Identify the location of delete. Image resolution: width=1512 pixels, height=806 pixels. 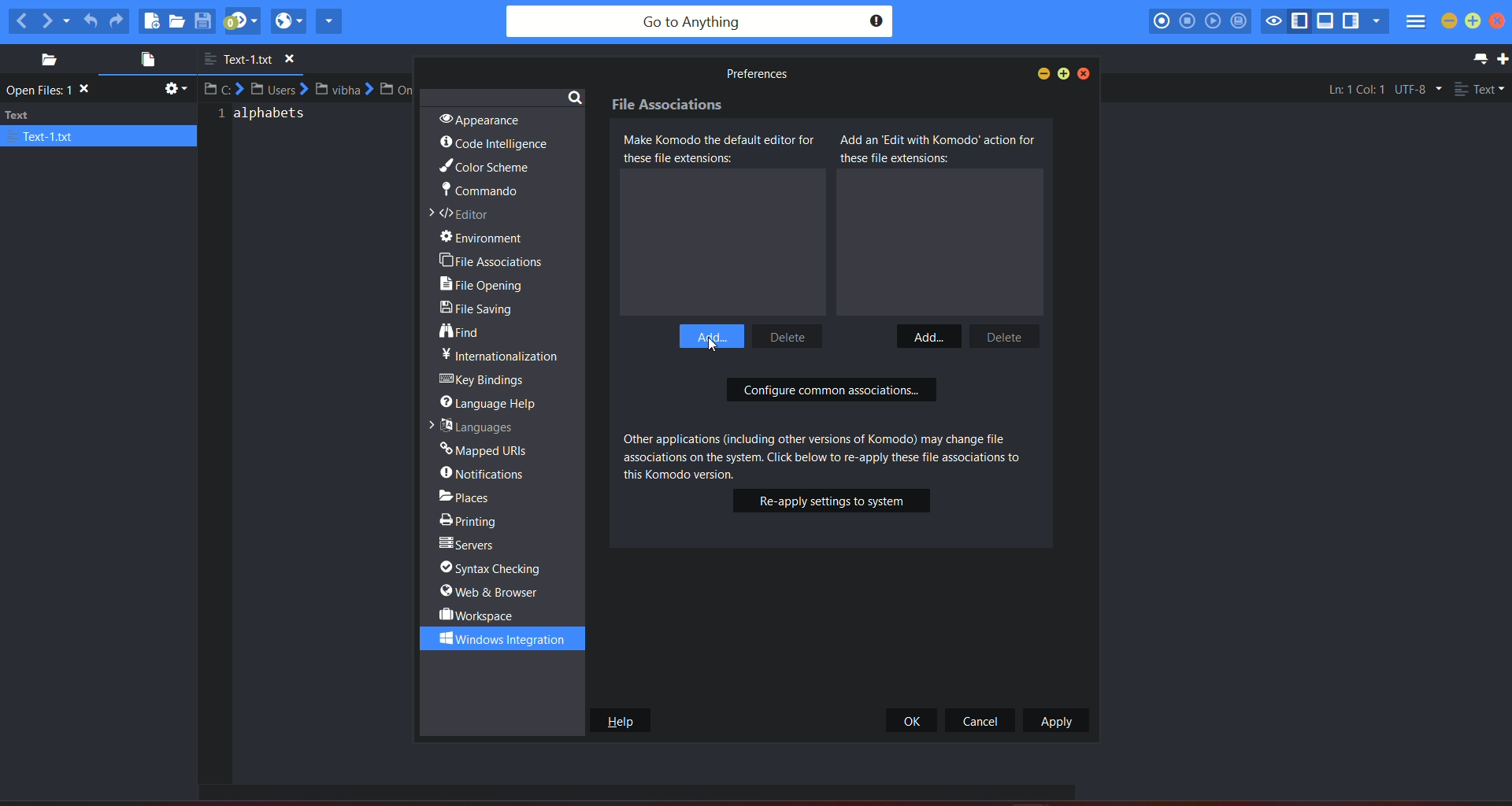
(1001, 335).